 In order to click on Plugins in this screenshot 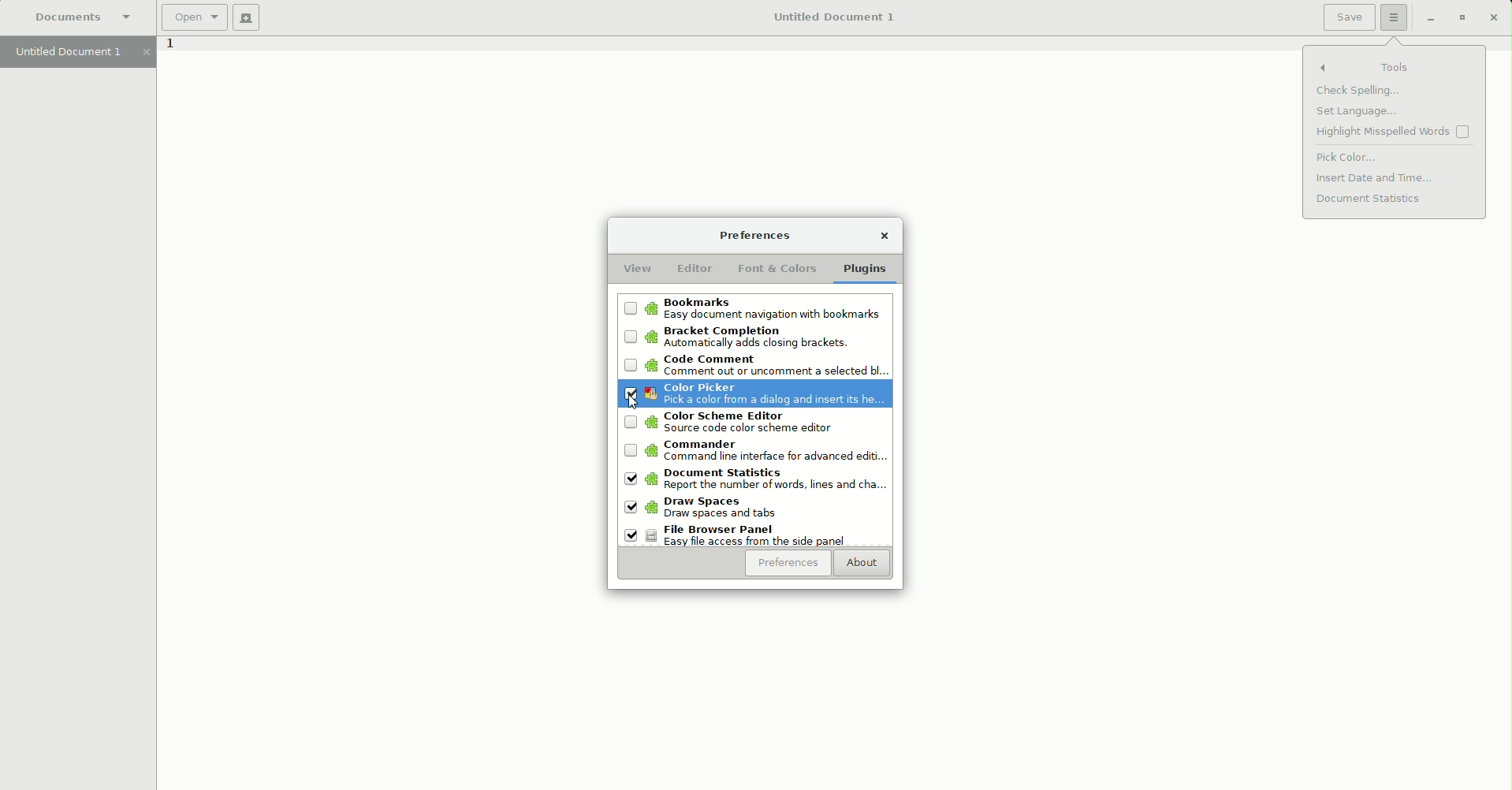, I will do `click(868, 270)`.